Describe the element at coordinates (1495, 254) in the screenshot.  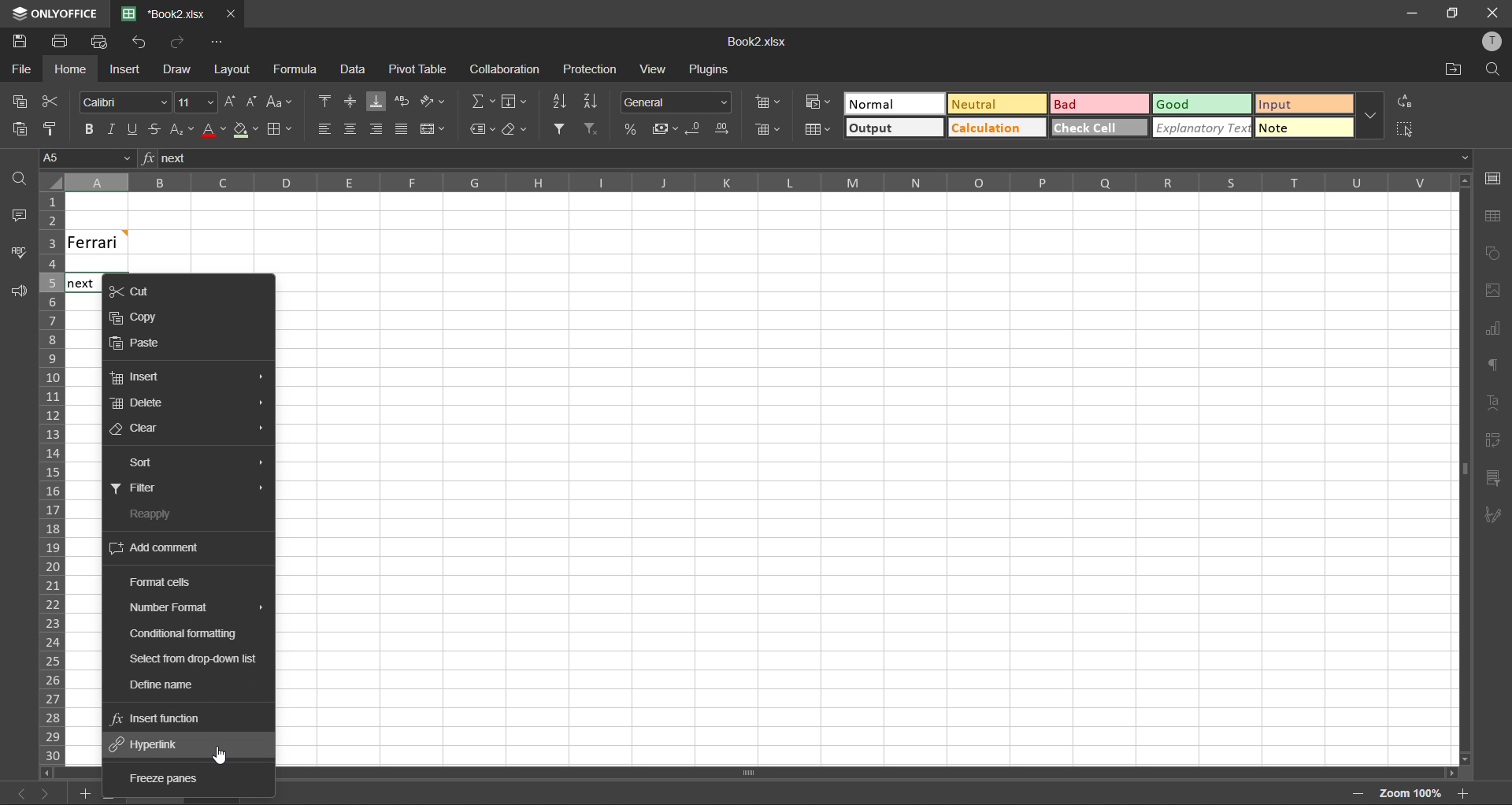
I see `shapes` at that location.